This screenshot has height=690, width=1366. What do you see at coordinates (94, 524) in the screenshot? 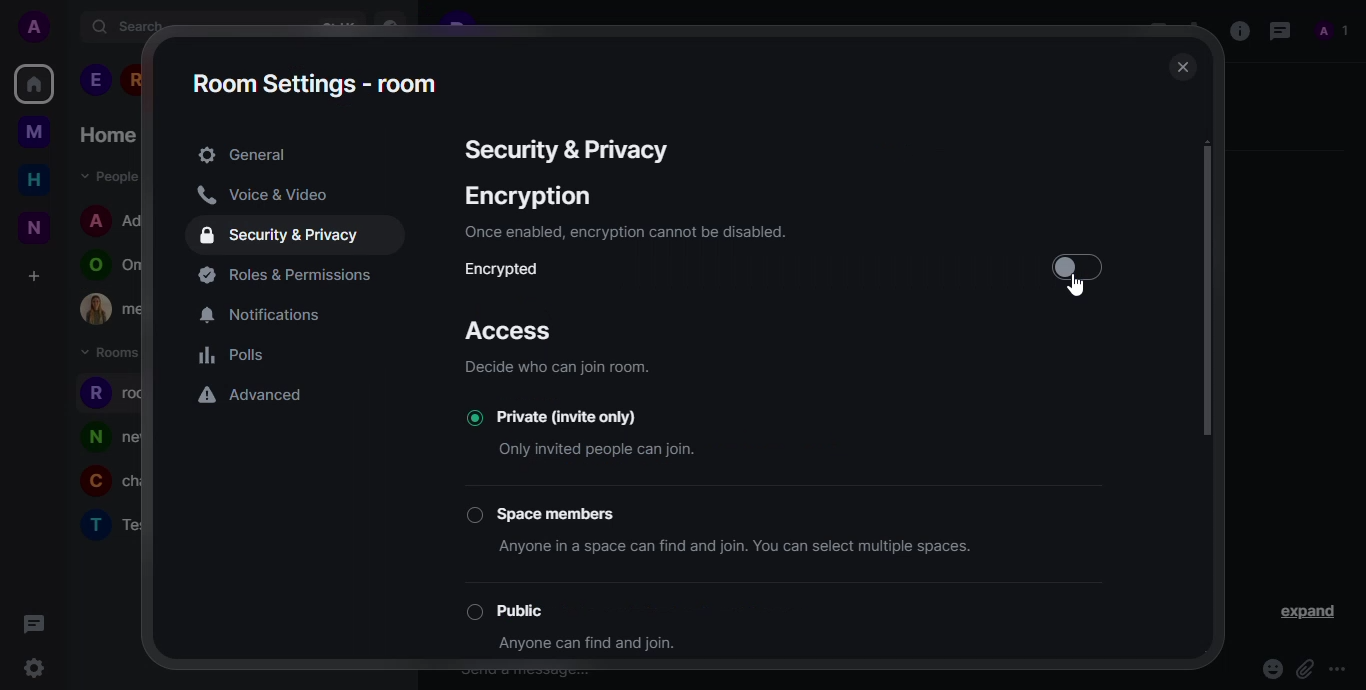
I see `profile` at bounding box center [94, 524].